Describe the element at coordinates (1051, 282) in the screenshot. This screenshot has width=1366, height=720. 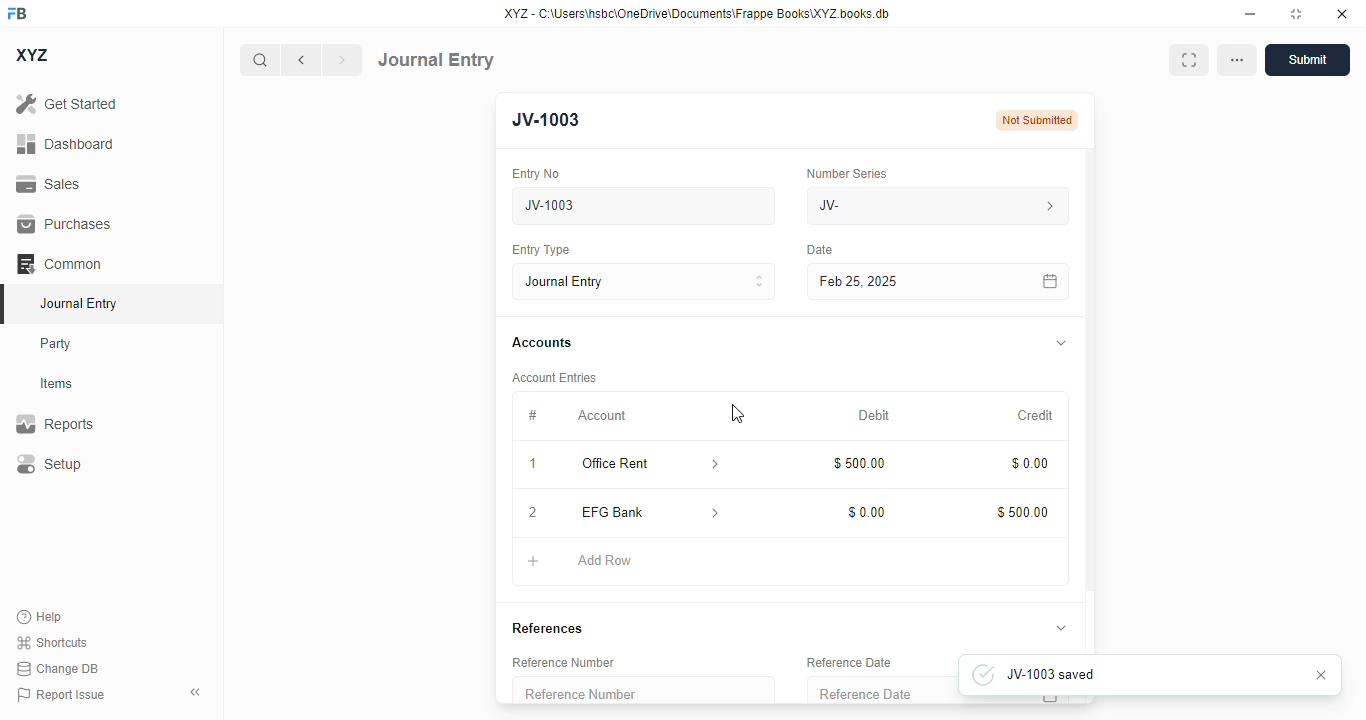
I see `calendar icon` at that location.